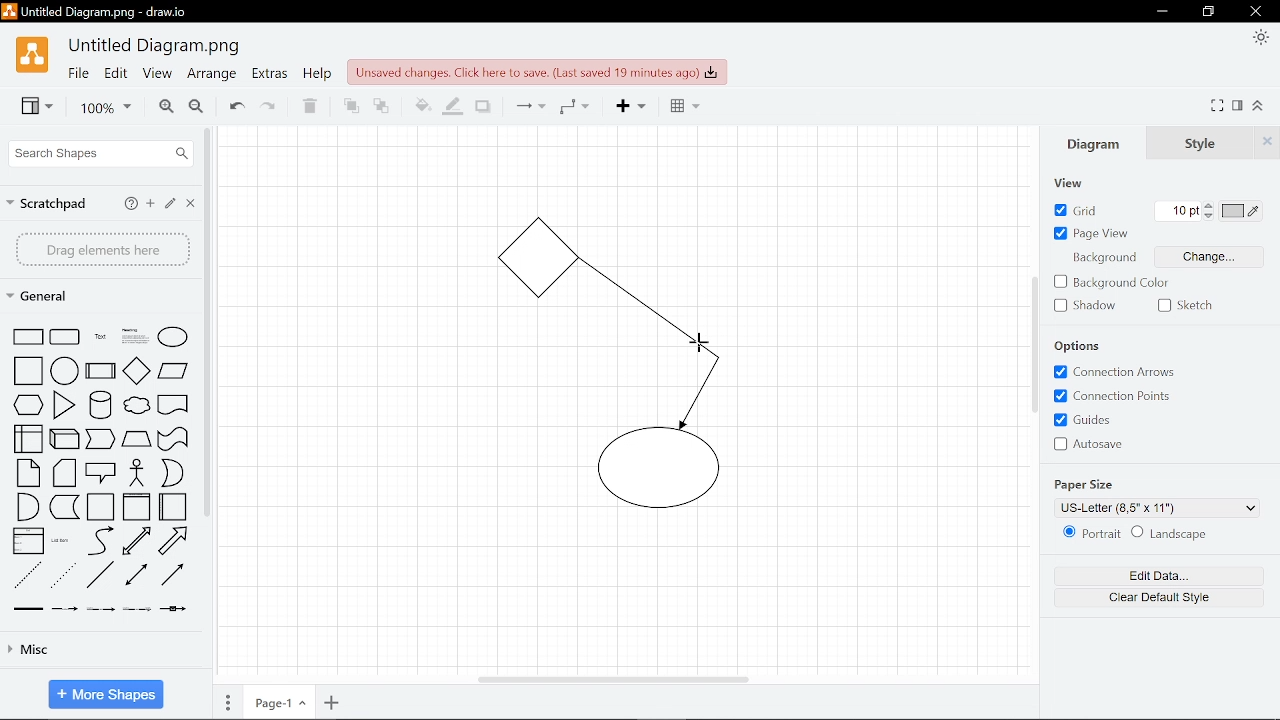  I want to click on Help, so click(130, 203).